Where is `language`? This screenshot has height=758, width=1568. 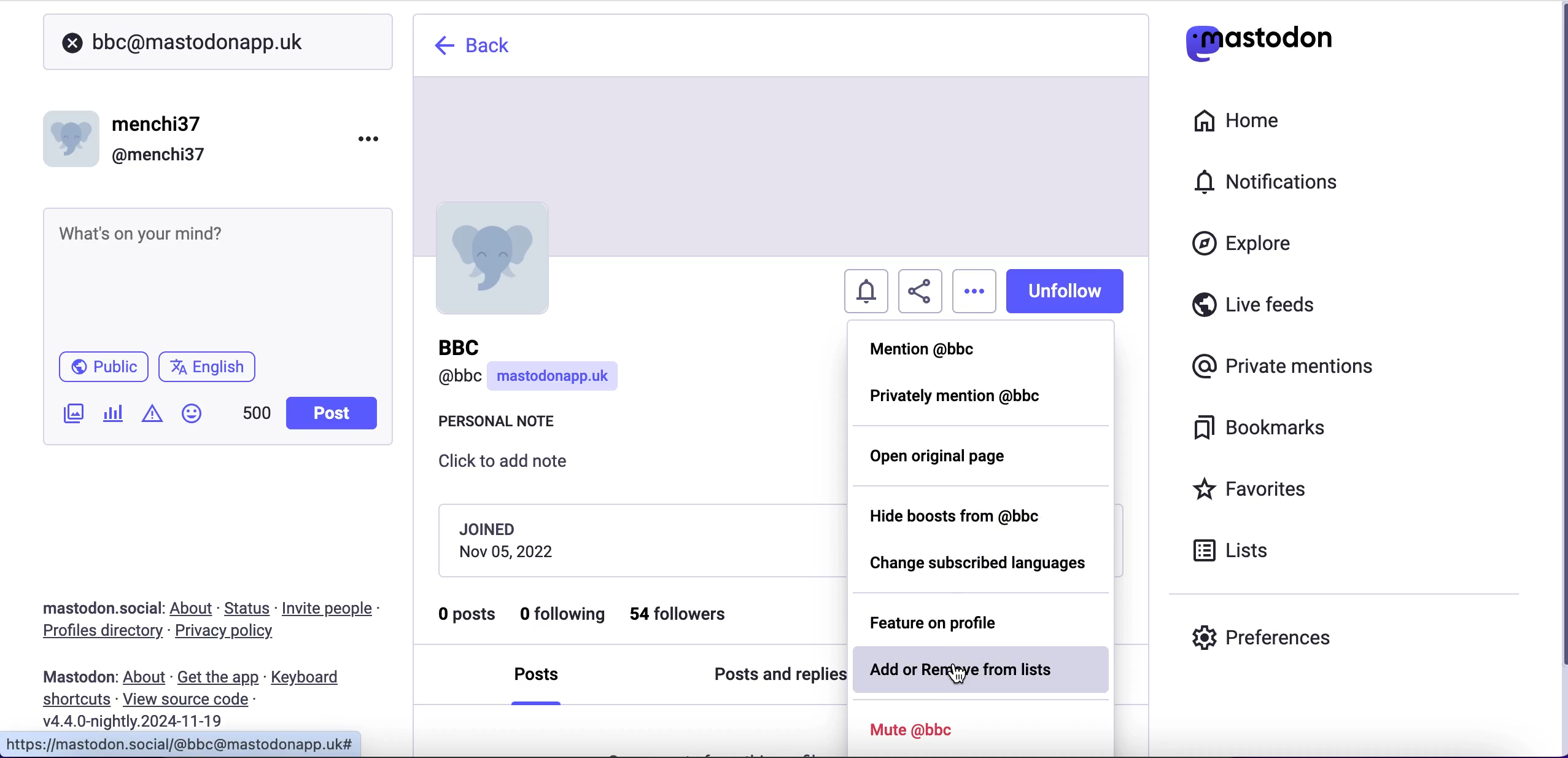
language is located at coordinates (212, 372).